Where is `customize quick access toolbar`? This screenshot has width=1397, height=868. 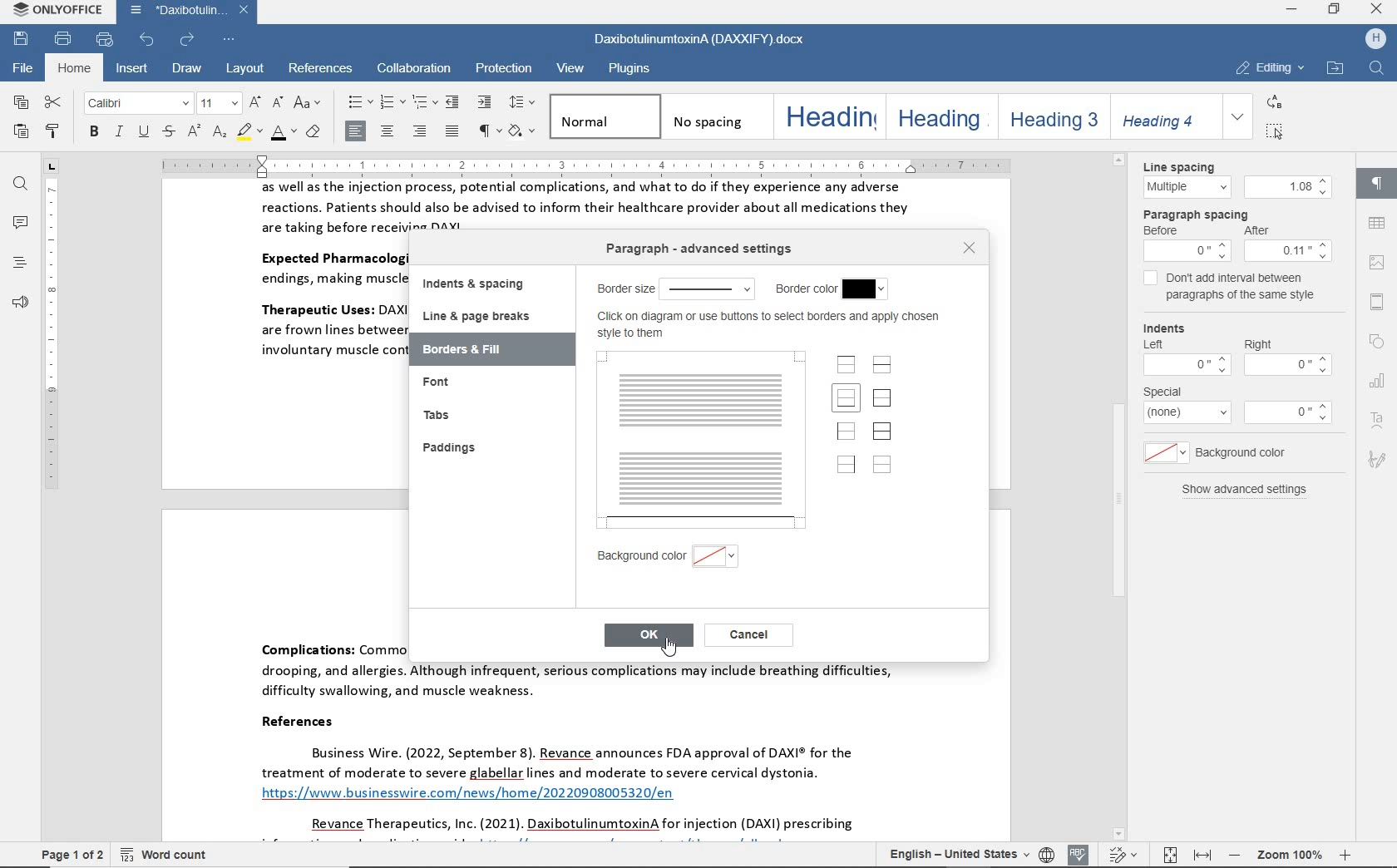 customize quick access toolbar is located at coordinates (227, 41).